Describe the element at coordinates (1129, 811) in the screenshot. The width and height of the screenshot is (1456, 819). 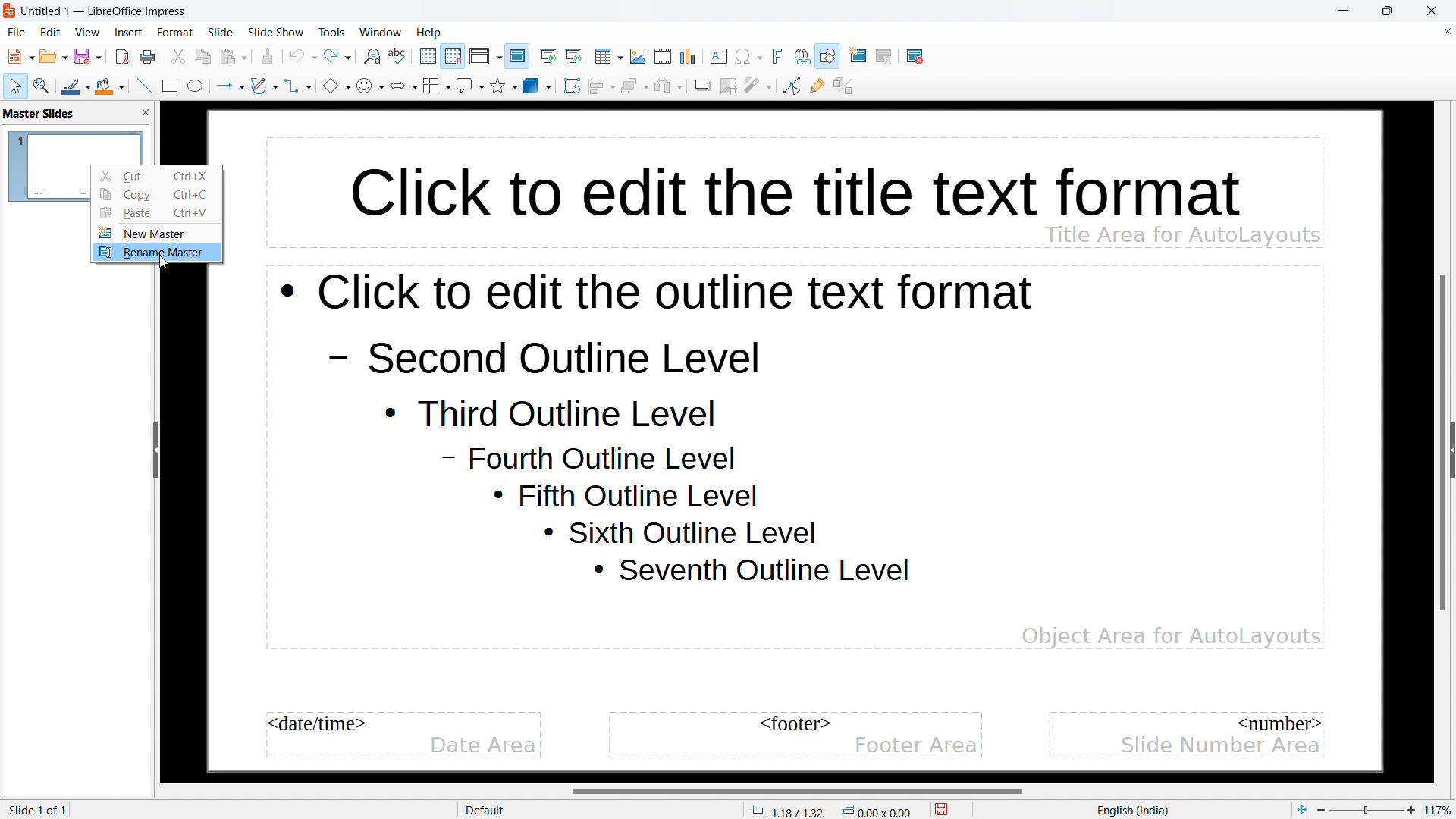
I see `English(India)` at that location.